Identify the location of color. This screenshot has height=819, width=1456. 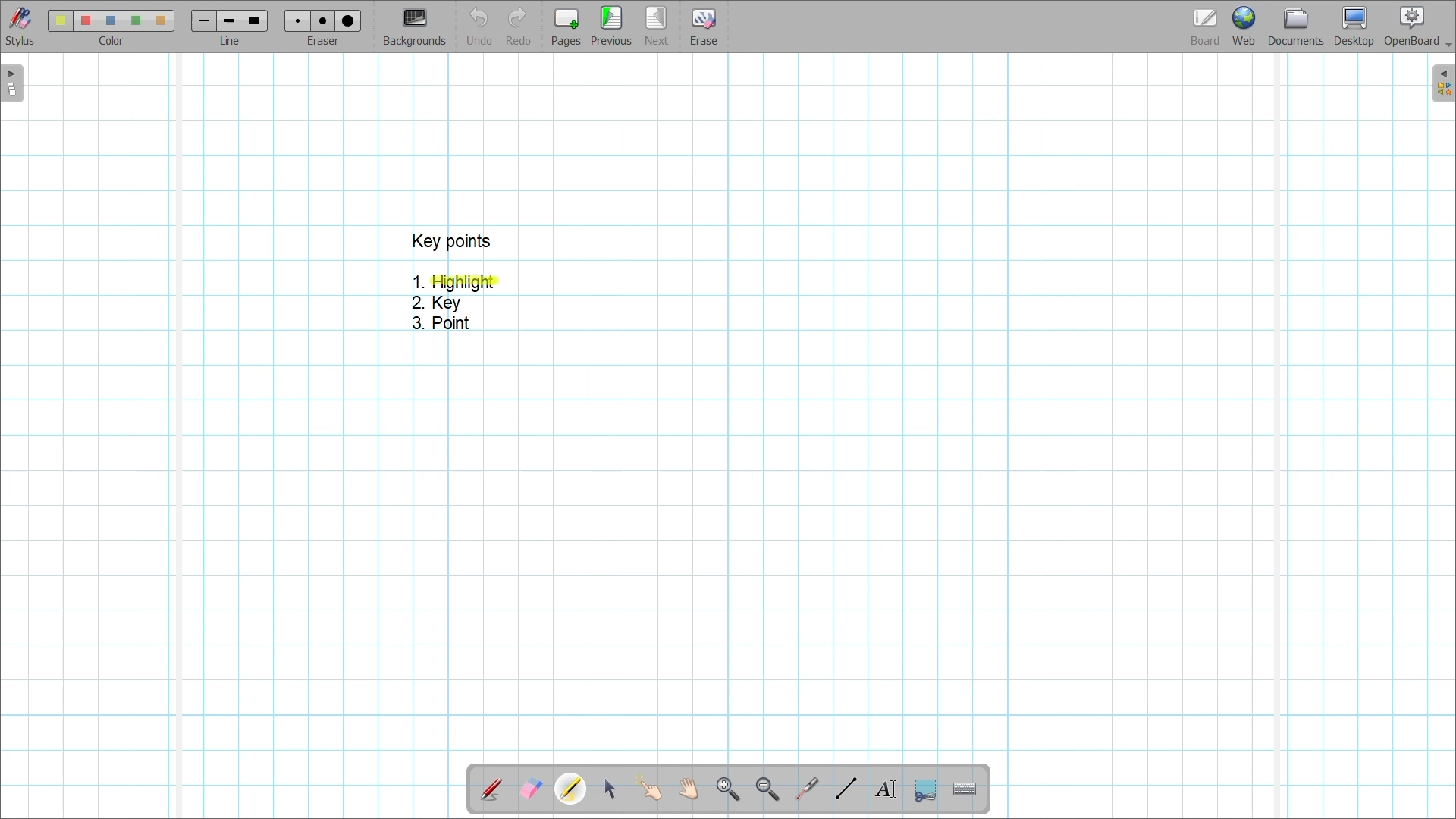
(108, 41).